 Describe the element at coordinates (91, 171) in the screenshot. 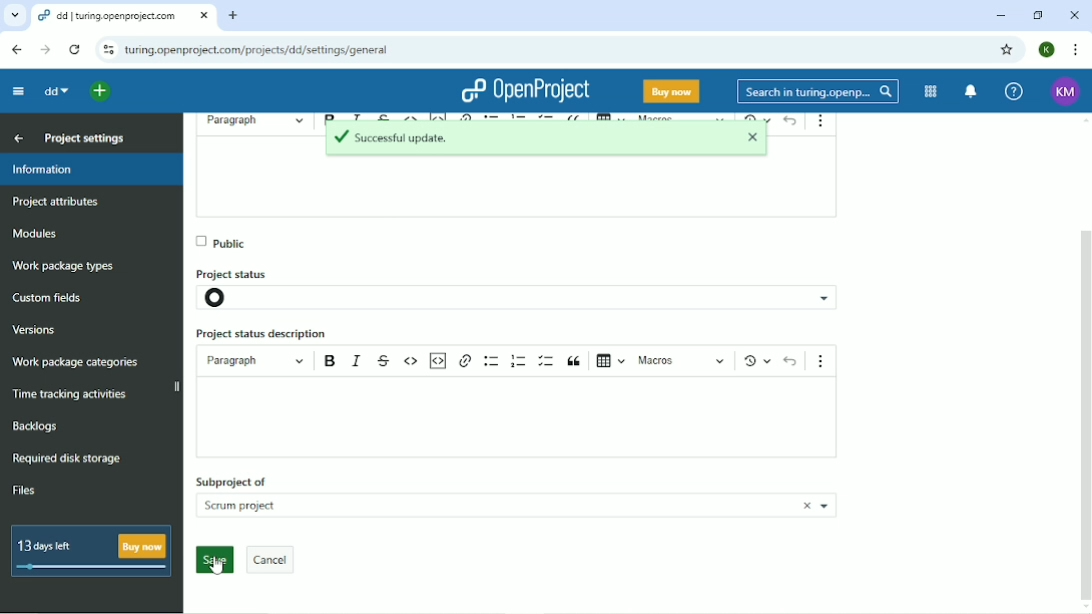

I see `Information` at that location.